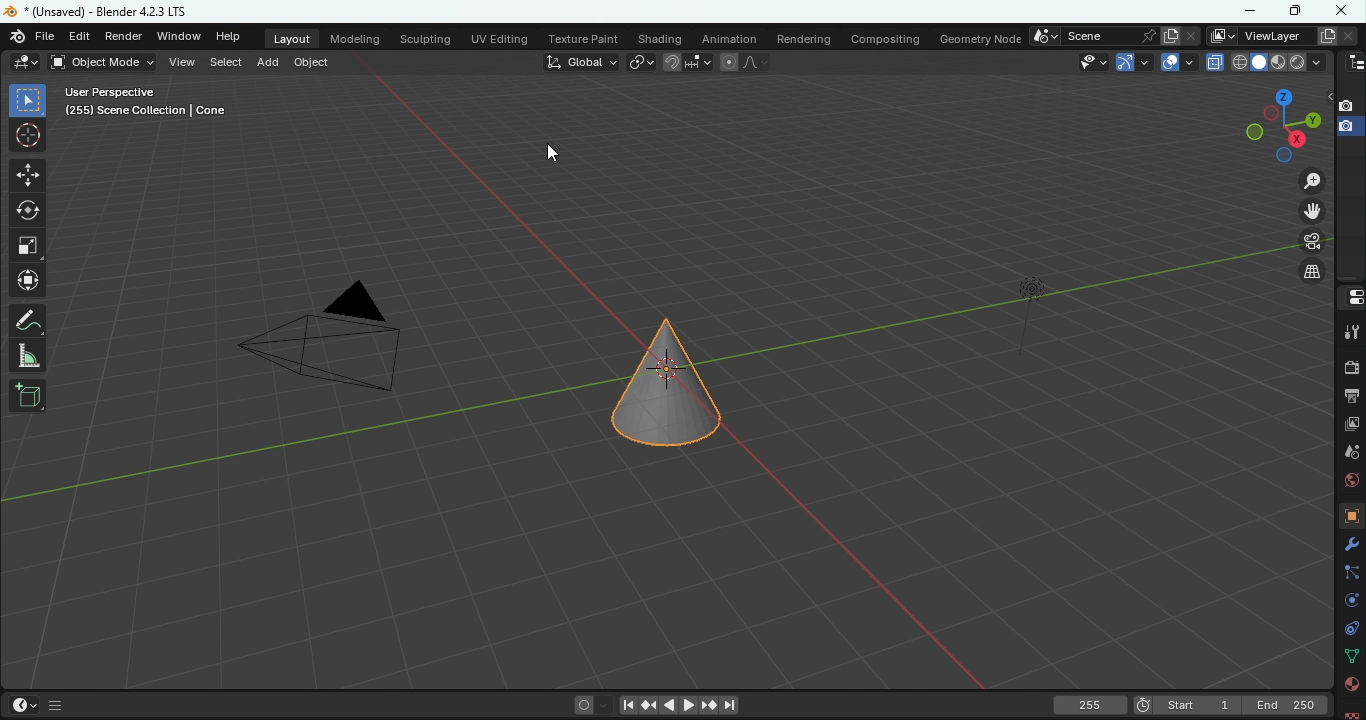 The width and height of the screenshot is (1366, 720). I want to click on Rotate the scene, so click(1299, 139).